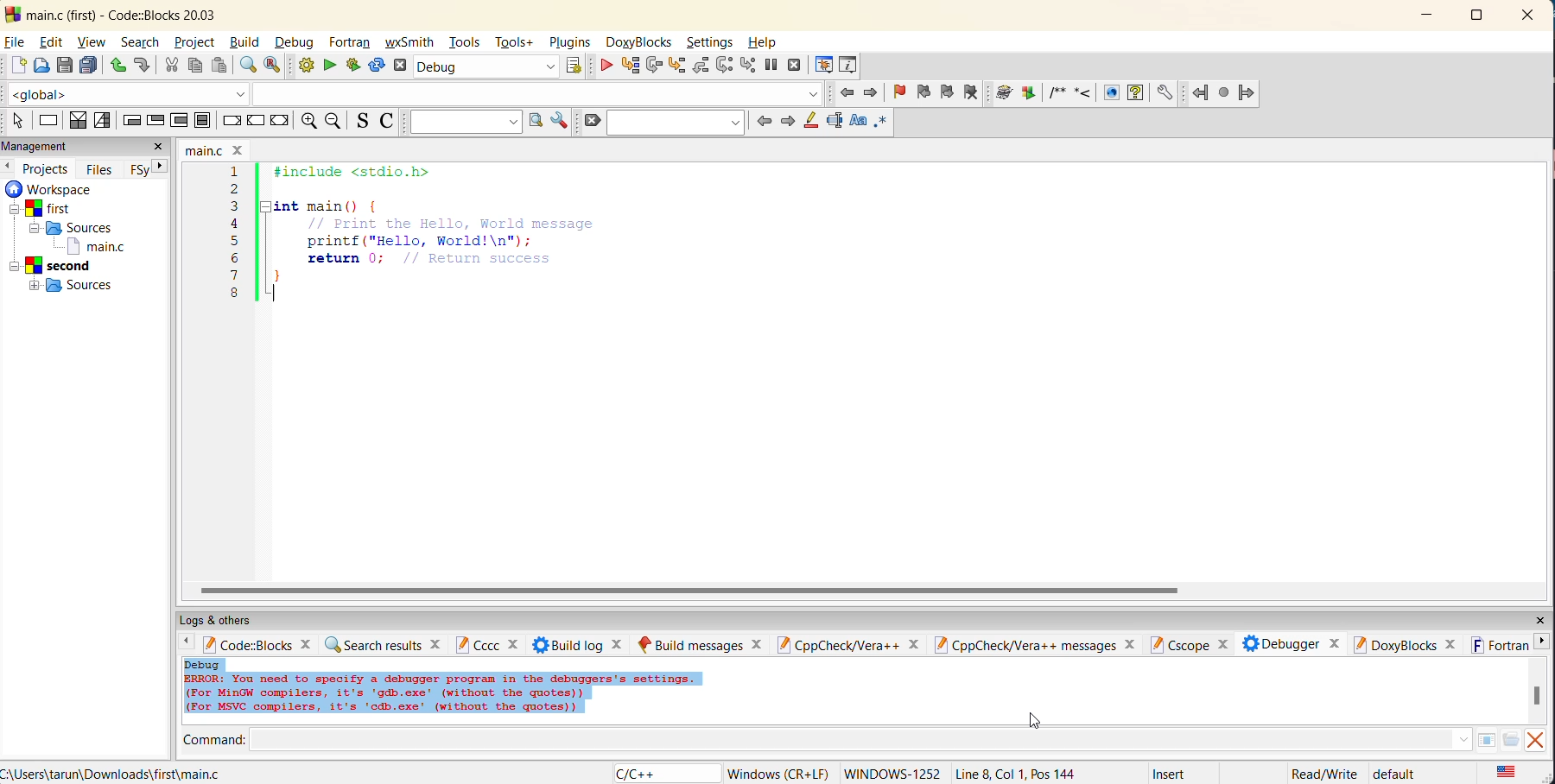 The height and width of the screenshot is (784, 1555). Describe the element at coordinates (652, 66) in the screenshot. I see `next line` at that location.